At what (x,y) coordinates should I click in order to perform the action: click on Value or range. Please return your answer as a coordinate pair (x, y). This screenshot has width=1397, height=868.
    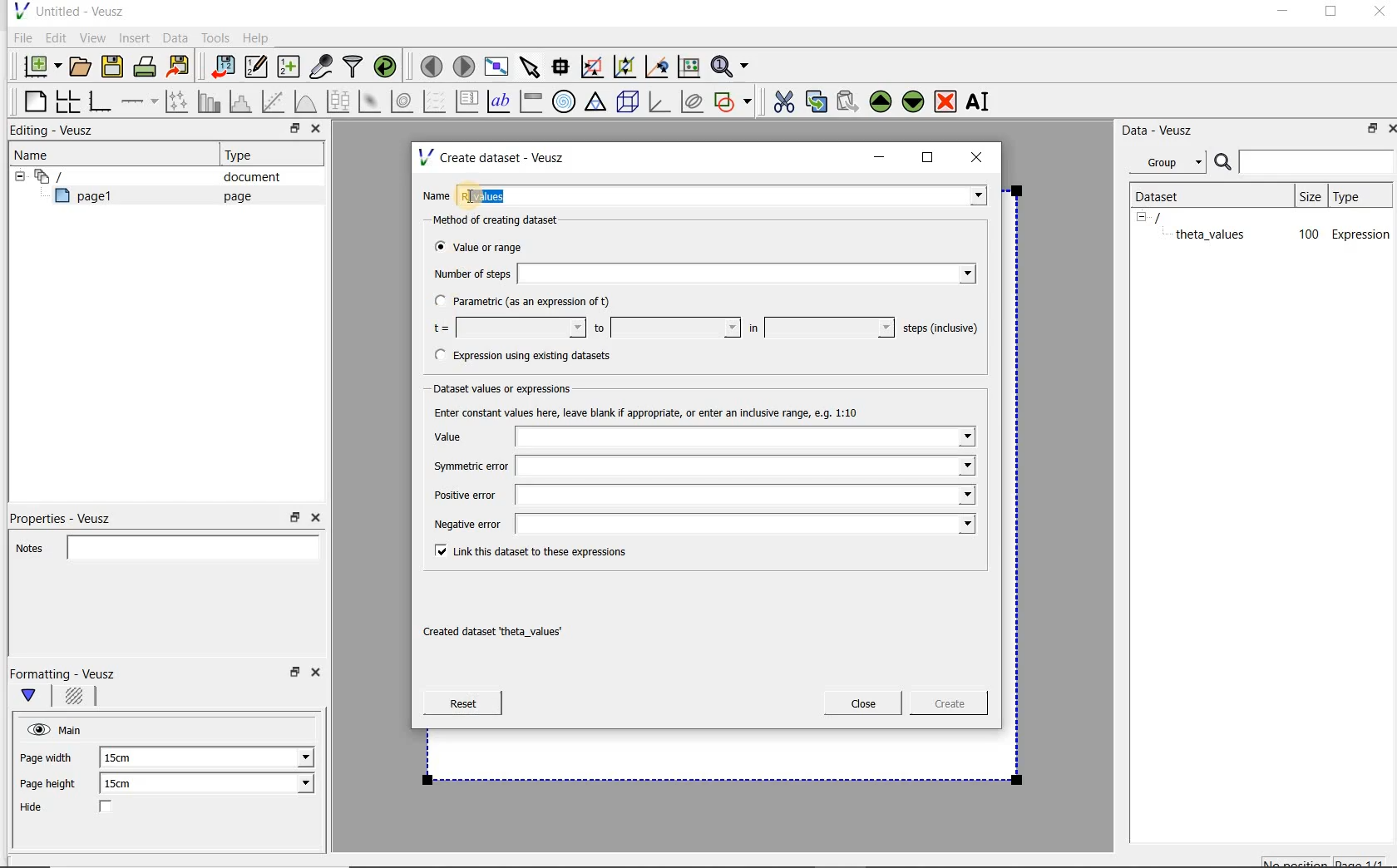
    Looking at the image, I should click on (493, 244).